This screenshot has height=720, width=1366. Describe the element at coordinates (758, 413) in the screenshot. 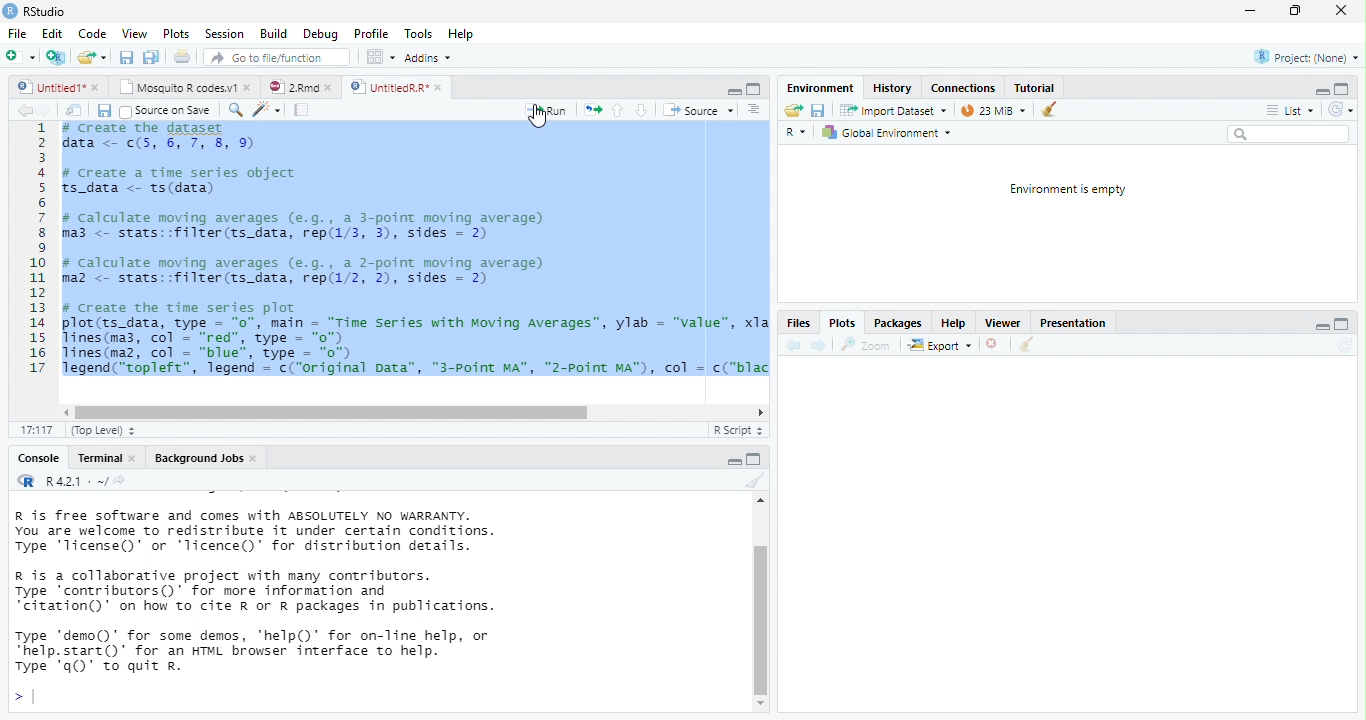

I see `scrollbar right` at that location.